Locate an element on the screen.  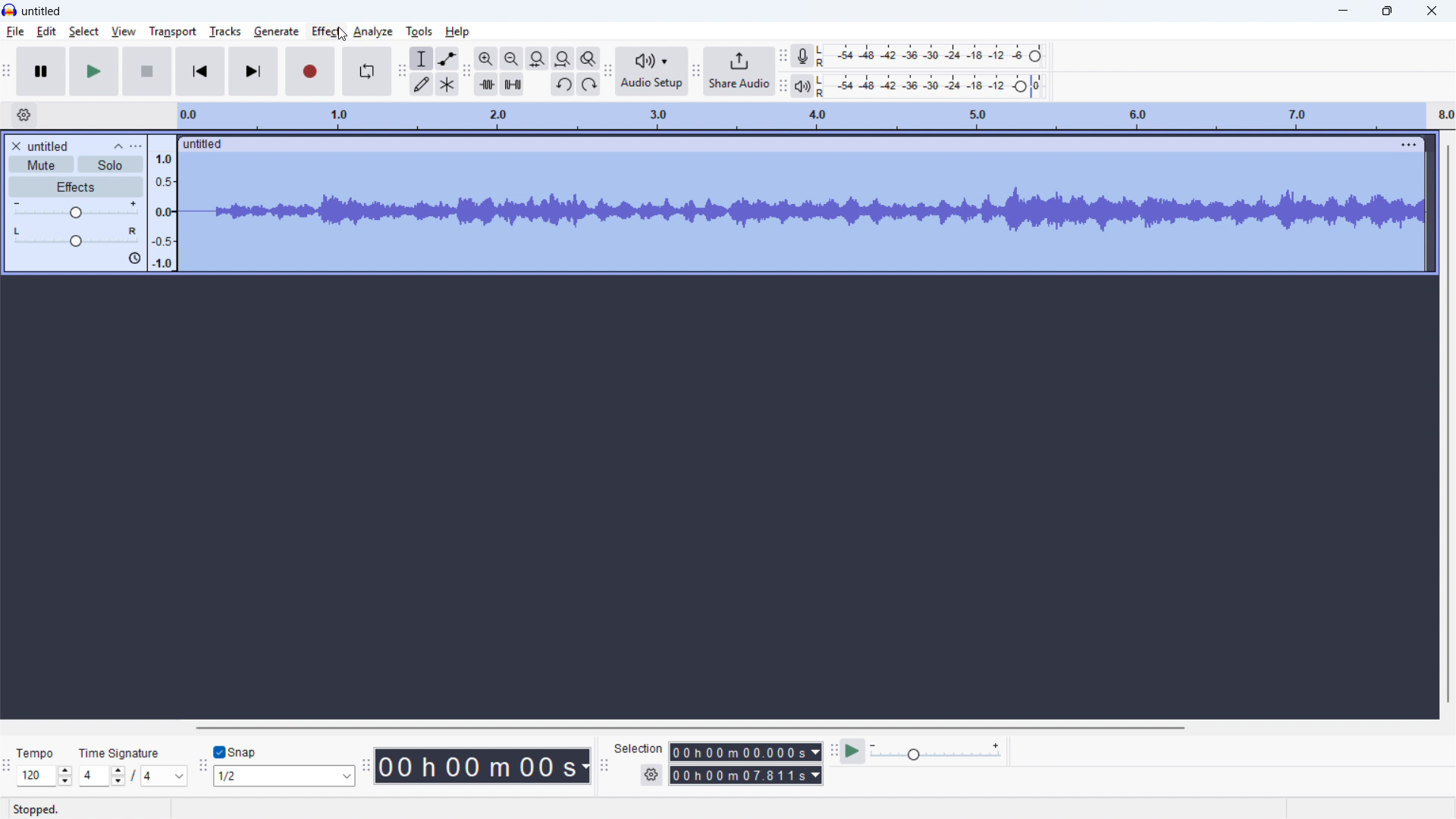
Horizontal scroll bar  is located at coordinates (687, 728).